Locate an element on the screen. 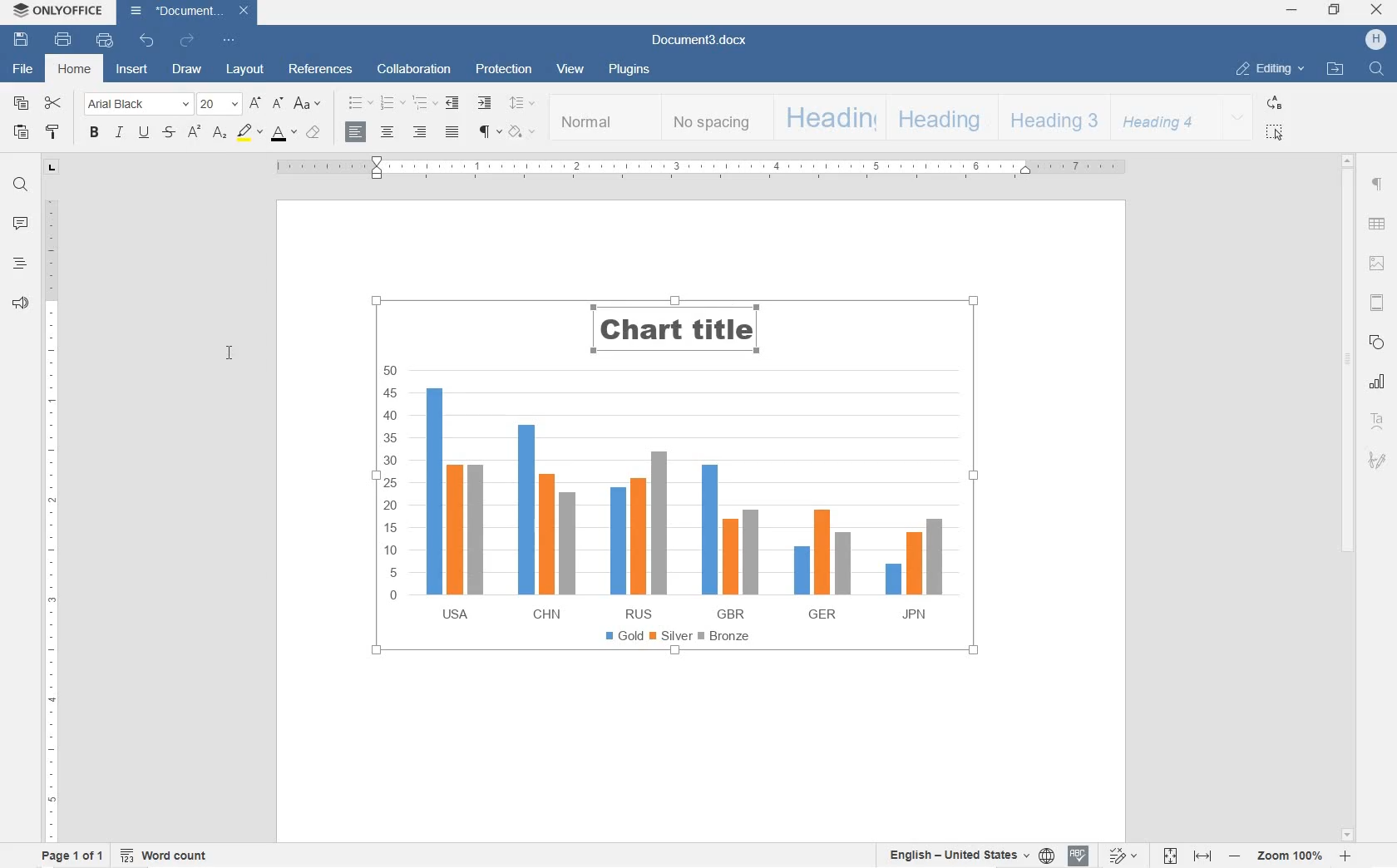 Image resolution: width=1397 pixels, height=868 pixels. PAGE 1 OF 1 is located at coordinates (74, 856).